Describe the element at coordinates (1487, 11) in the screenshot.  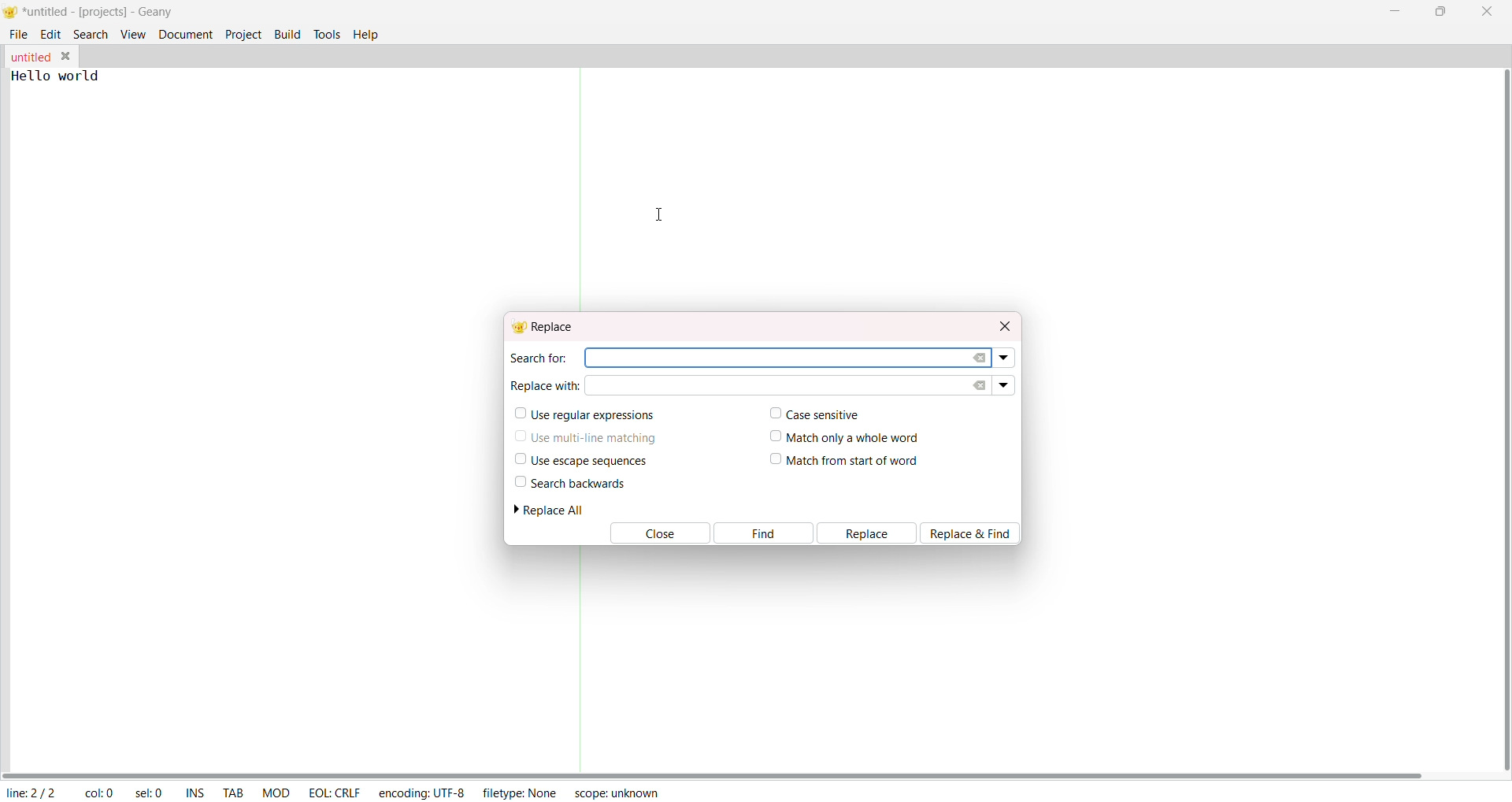
I see `close` at that location.